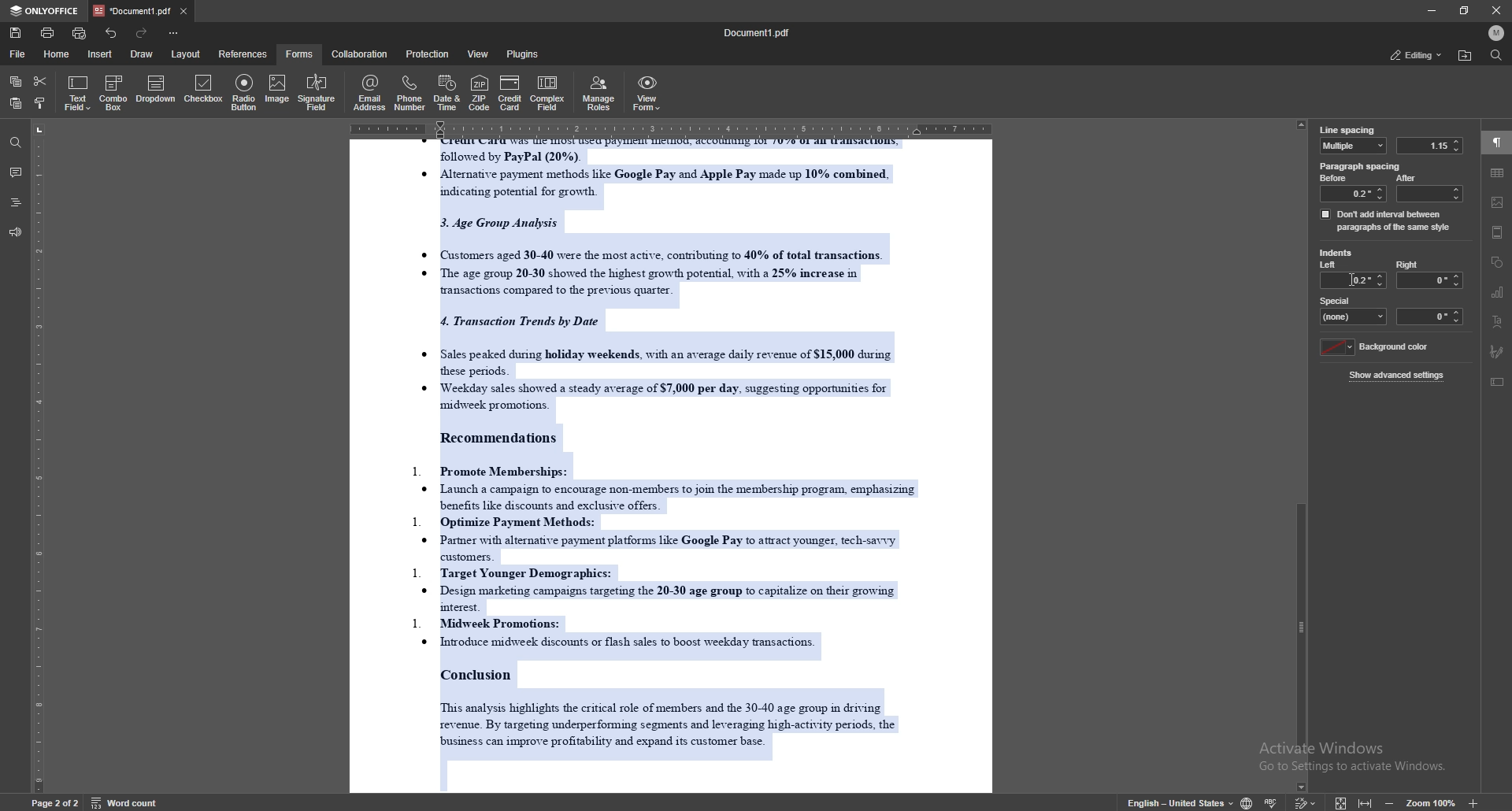  Describe the element at coordinates (244, 54) in the screenshot. I see `references` at that location.